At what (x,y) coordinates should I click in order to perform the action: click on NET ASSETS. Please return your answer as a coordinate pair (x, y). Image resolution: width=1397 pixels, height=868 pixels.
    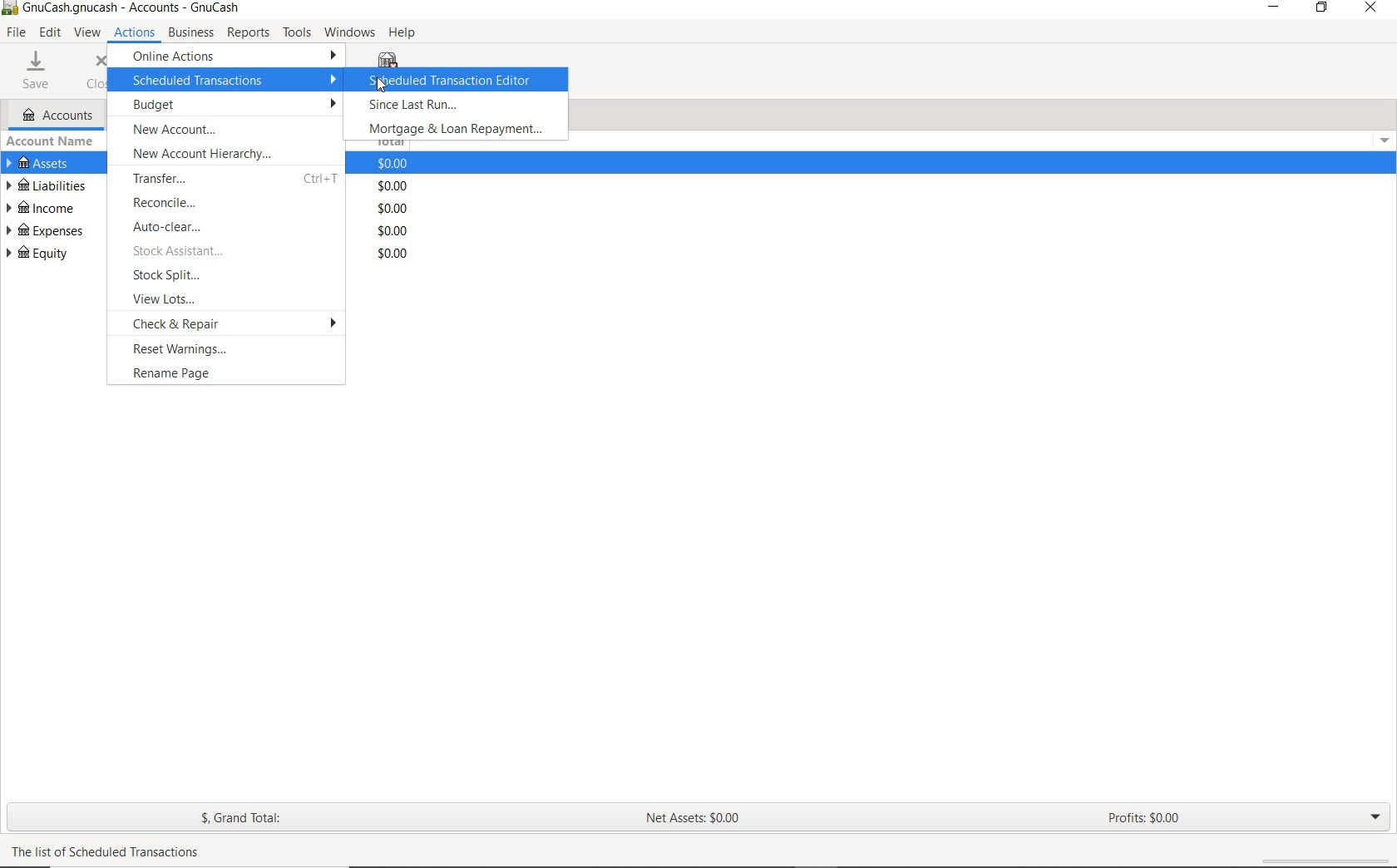
    Looking at the image, I should click on (696, 821).